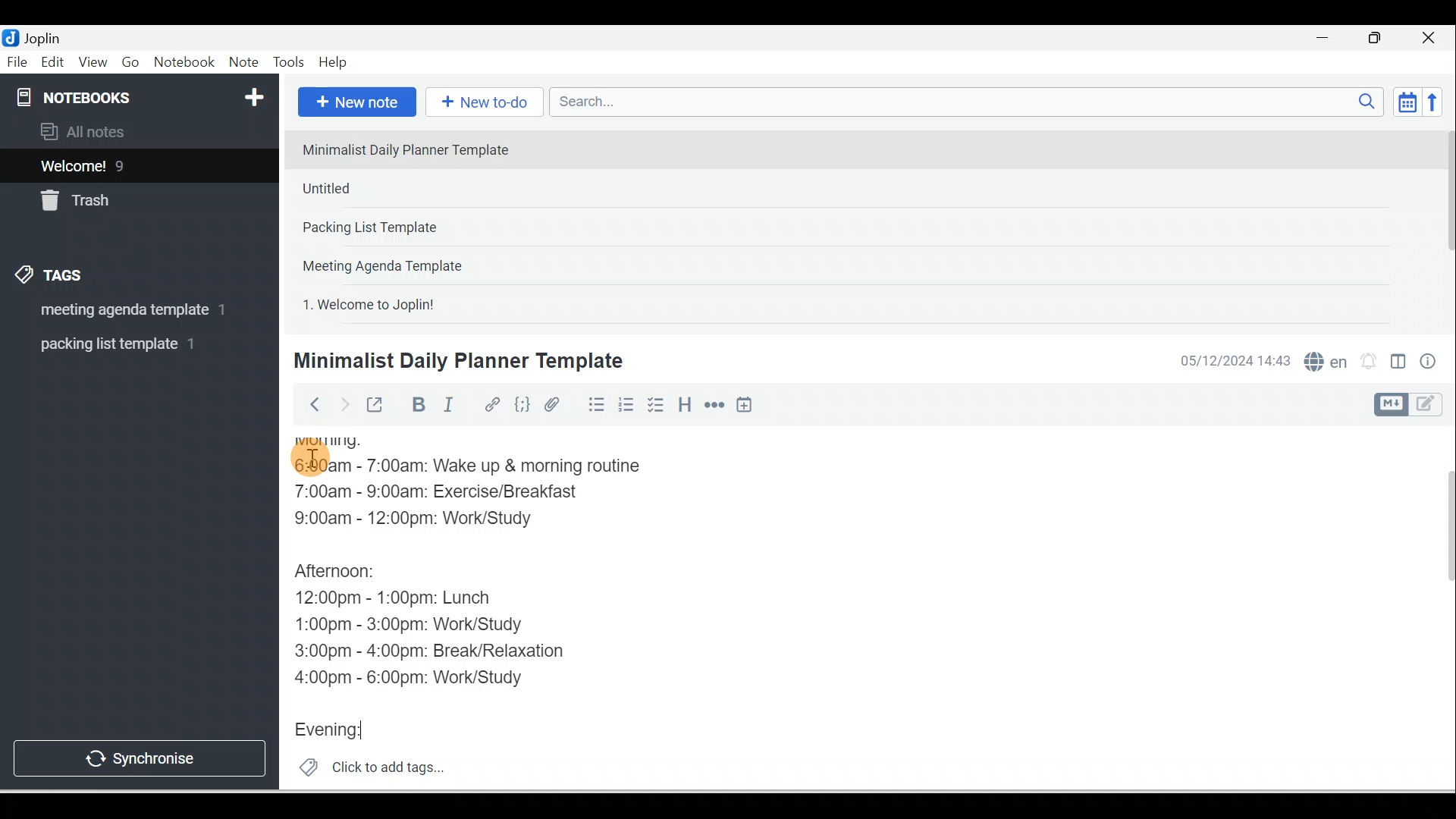 The image size is (1456, 819). What do you see at coordinates (416, 405) in the screenshot?
I see `Bold` at bounding box center [416, 405].